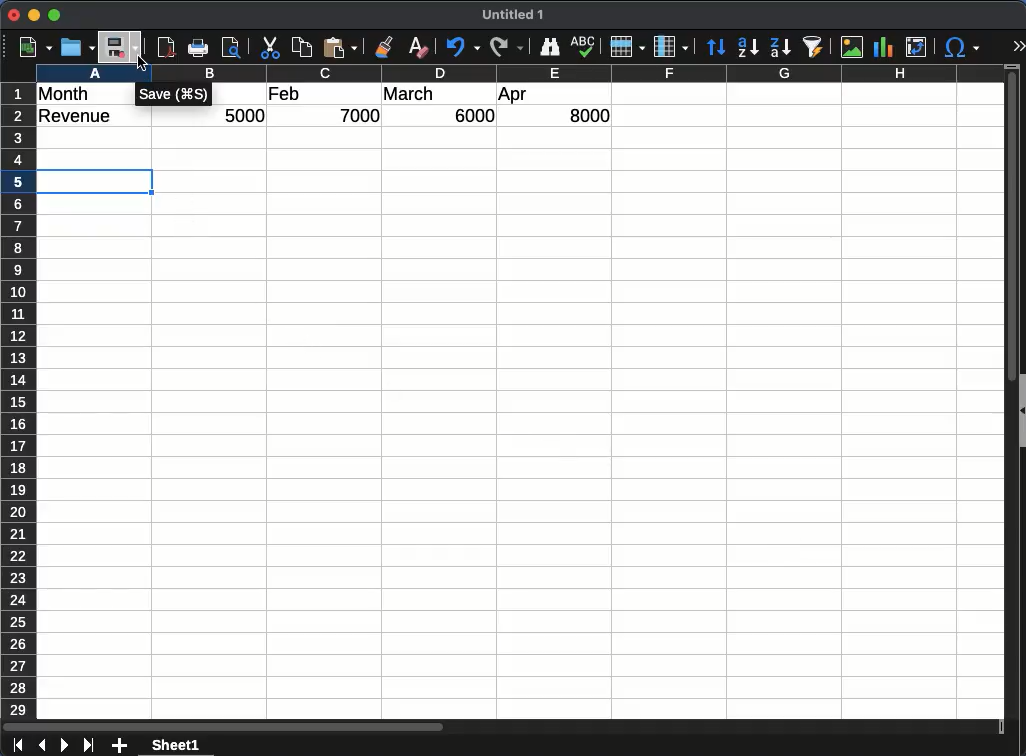 This screenshot has height=756, width=1026. What do you see at coordinates (582, 116) in the screenshot?
I see `8000` at bounding box center [582, 116].